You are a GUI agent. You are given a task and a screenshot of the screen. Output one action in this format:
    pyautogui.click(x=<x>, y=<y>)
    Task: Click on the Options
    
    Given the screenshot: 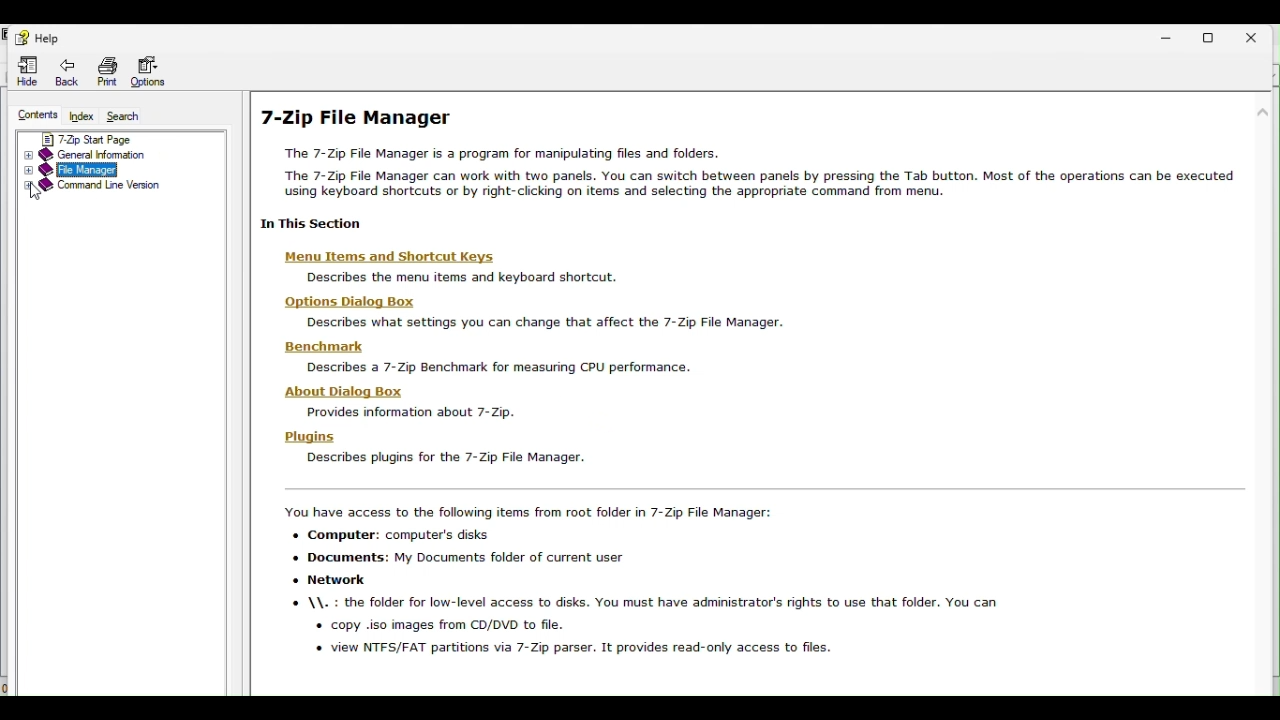 What is the action you would take?
    pyautogui.click(x=154, y=72)
    